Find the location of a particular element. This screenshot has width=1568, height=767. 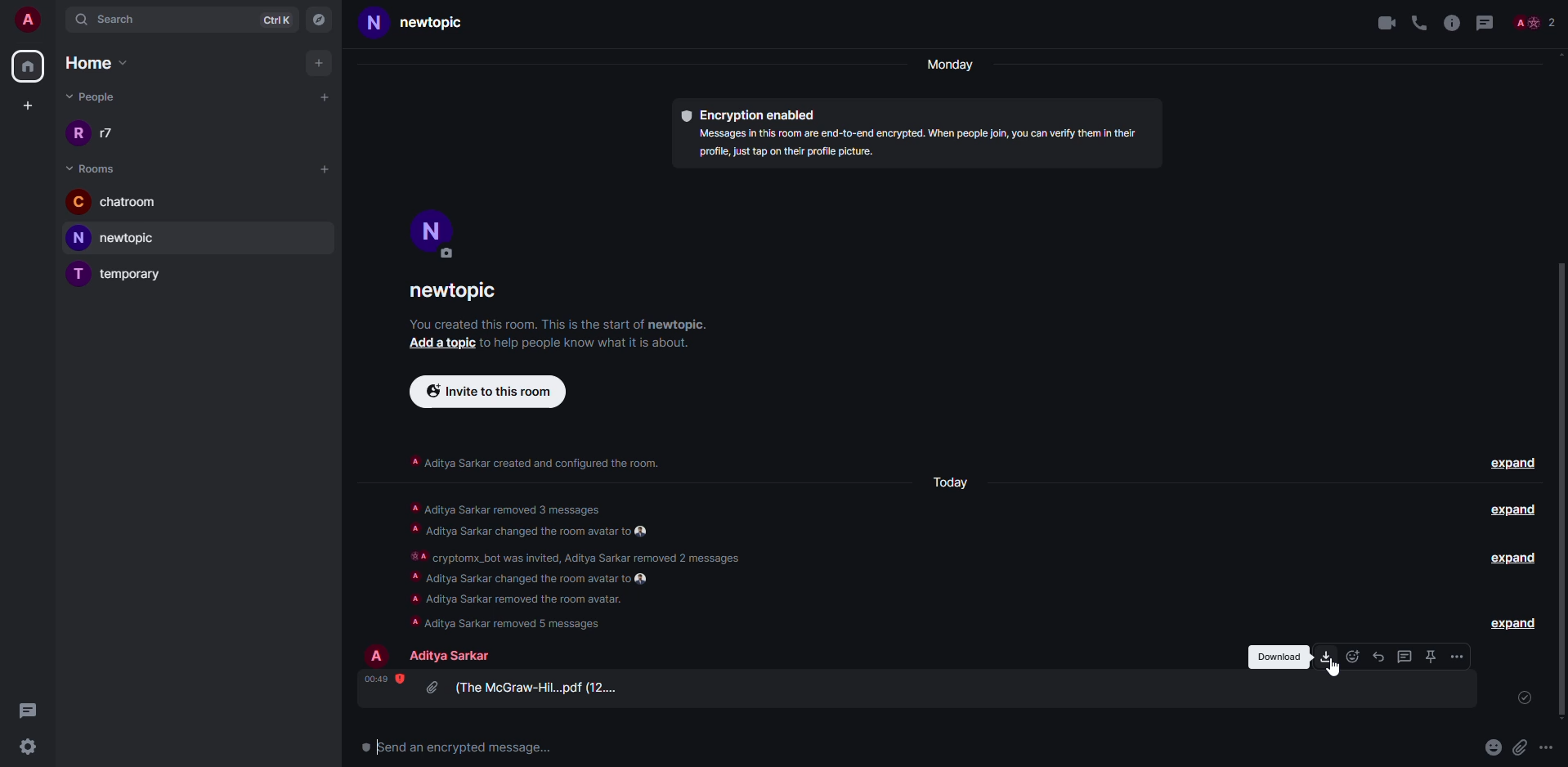

info is located at coordinates (921, 142).